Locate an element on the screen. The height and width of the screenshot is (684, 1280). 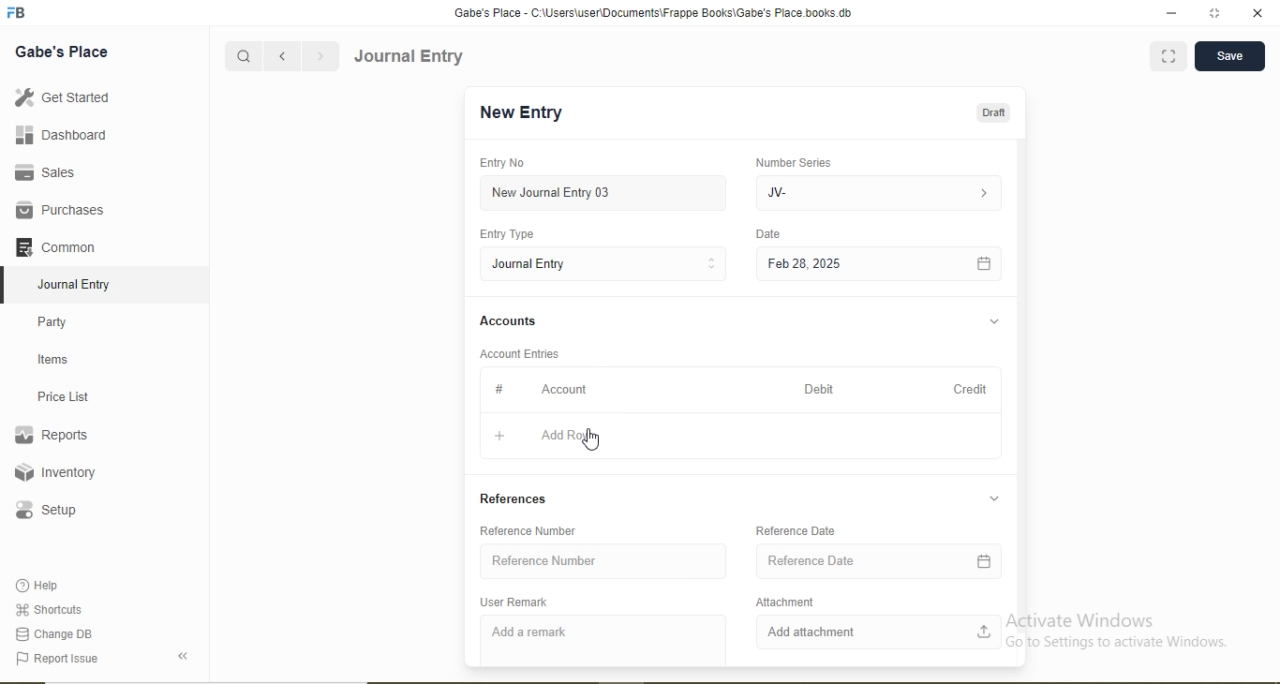
New Entry is located at coordinates (520, 113).